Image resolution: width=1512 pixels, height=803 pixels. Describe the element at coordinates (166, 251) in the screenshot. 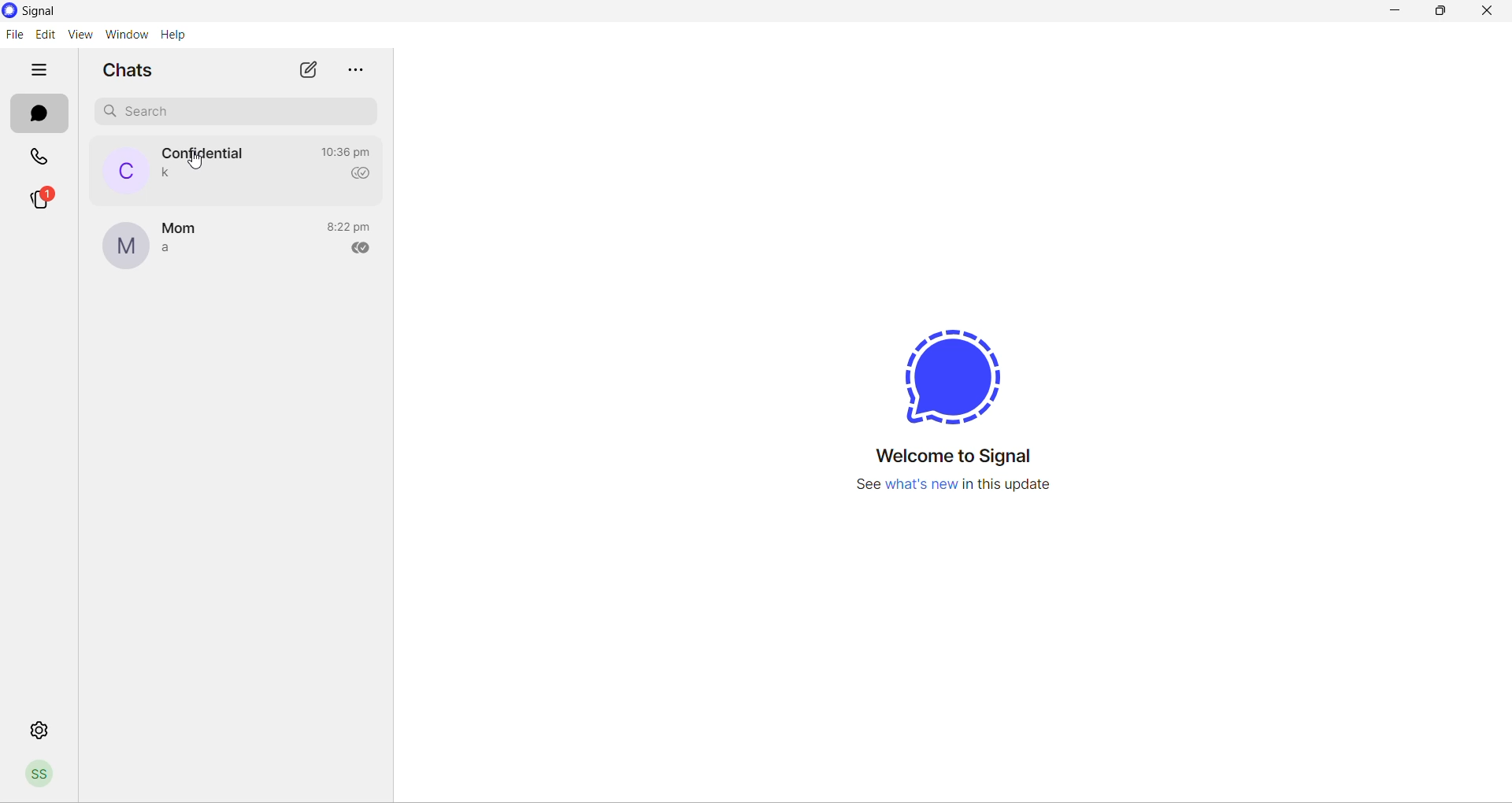

I see `last message` at that location.